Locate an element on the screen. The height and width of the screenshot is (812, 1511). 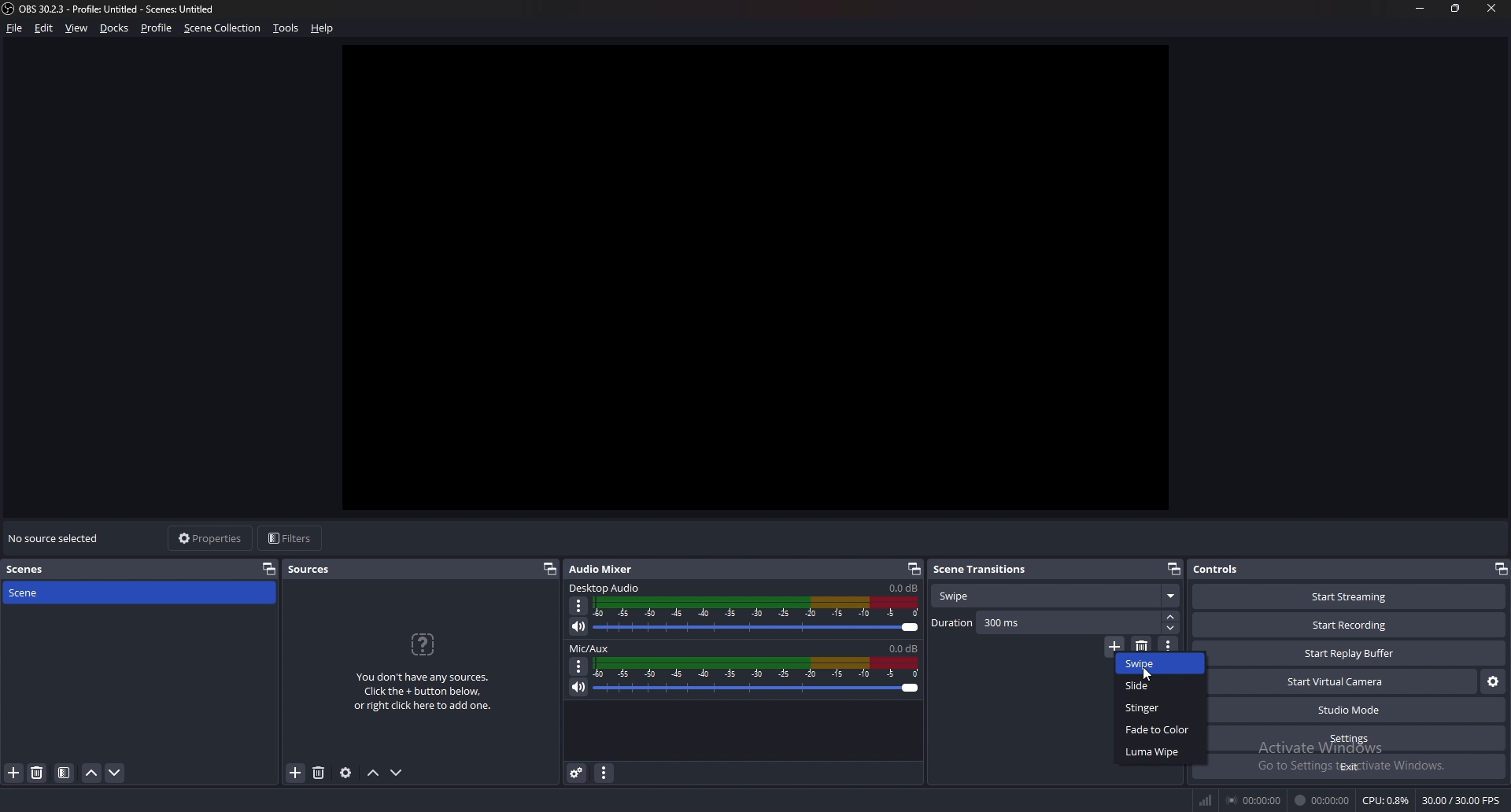
cursor is located at coordinates (1148, 674).